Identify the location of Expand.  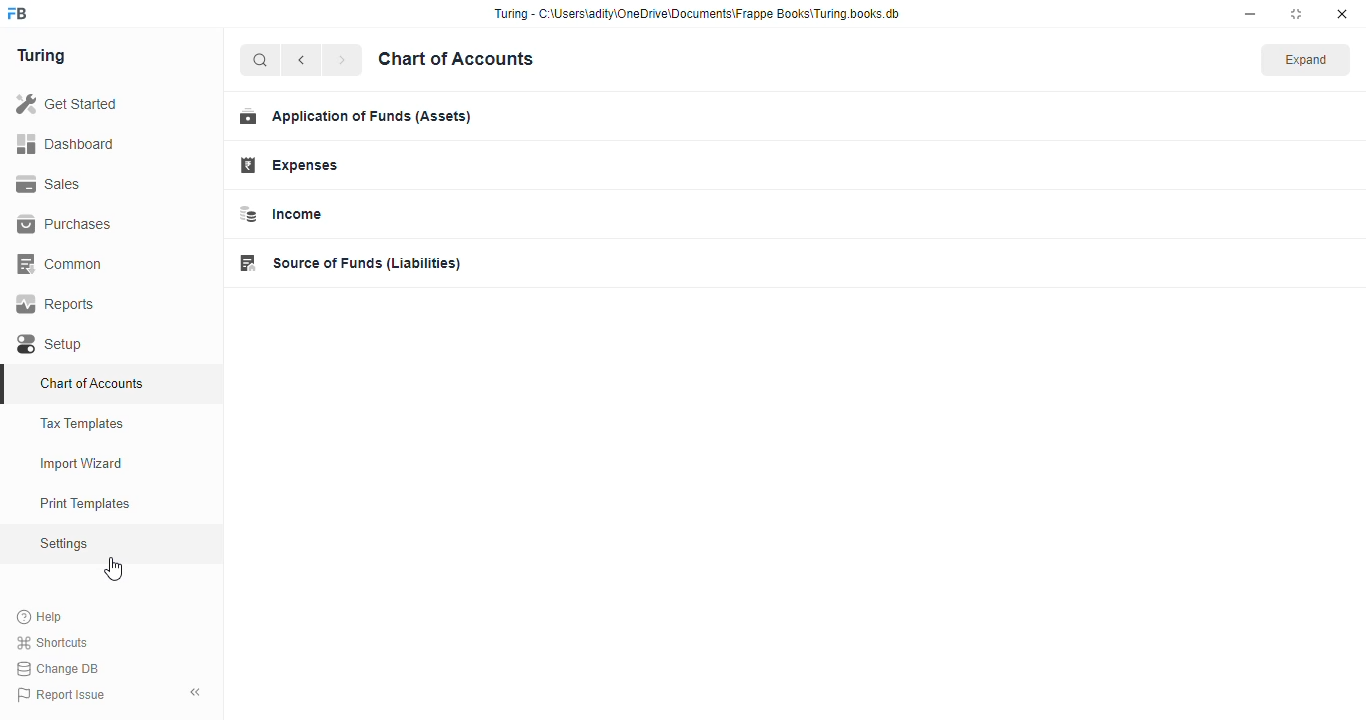
(1304, 58).